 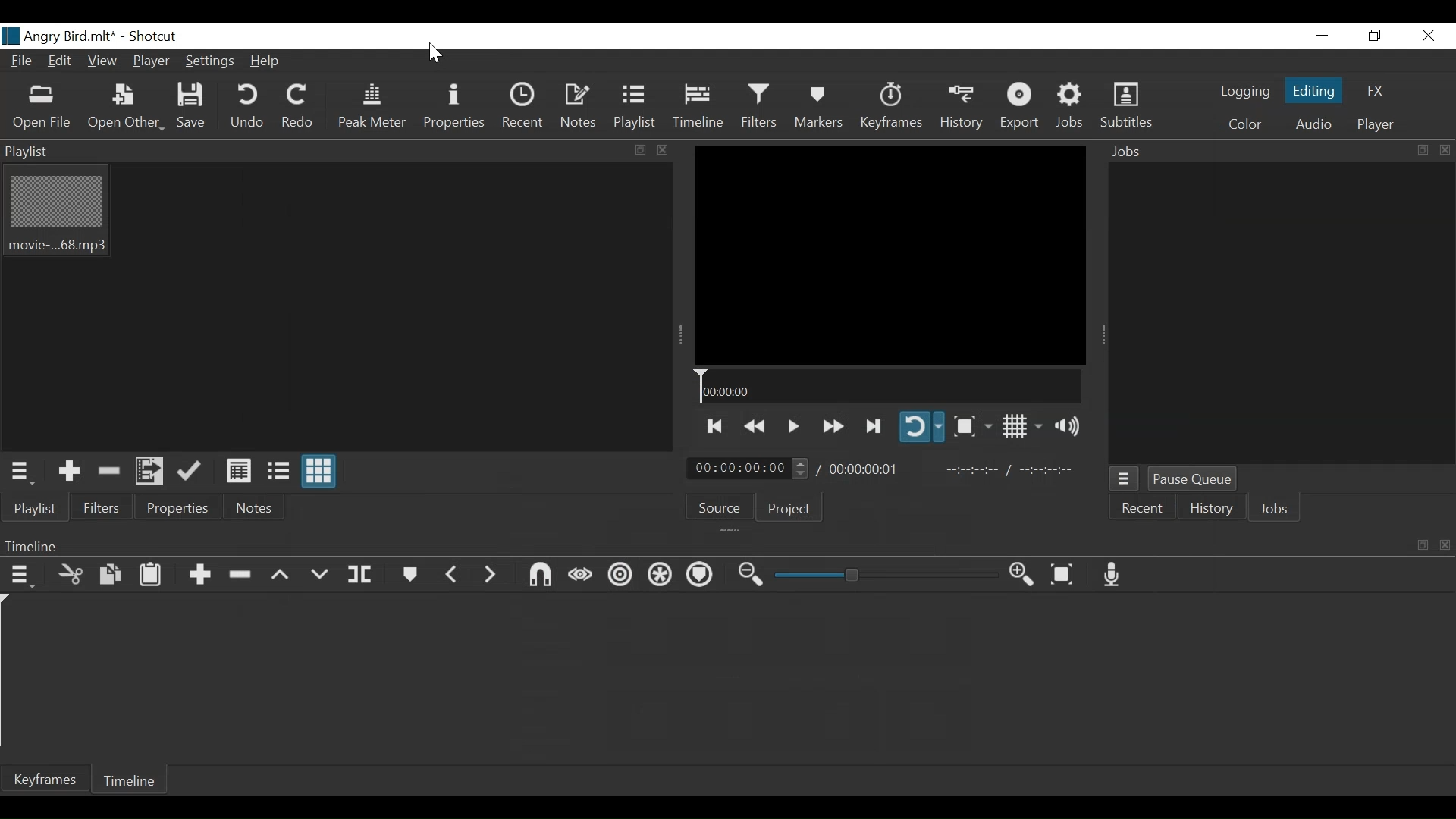 What do you see at coordinates (1193, 479) in the screenshot?
I see `Pause Queue` at bounding box center [1193, 479].